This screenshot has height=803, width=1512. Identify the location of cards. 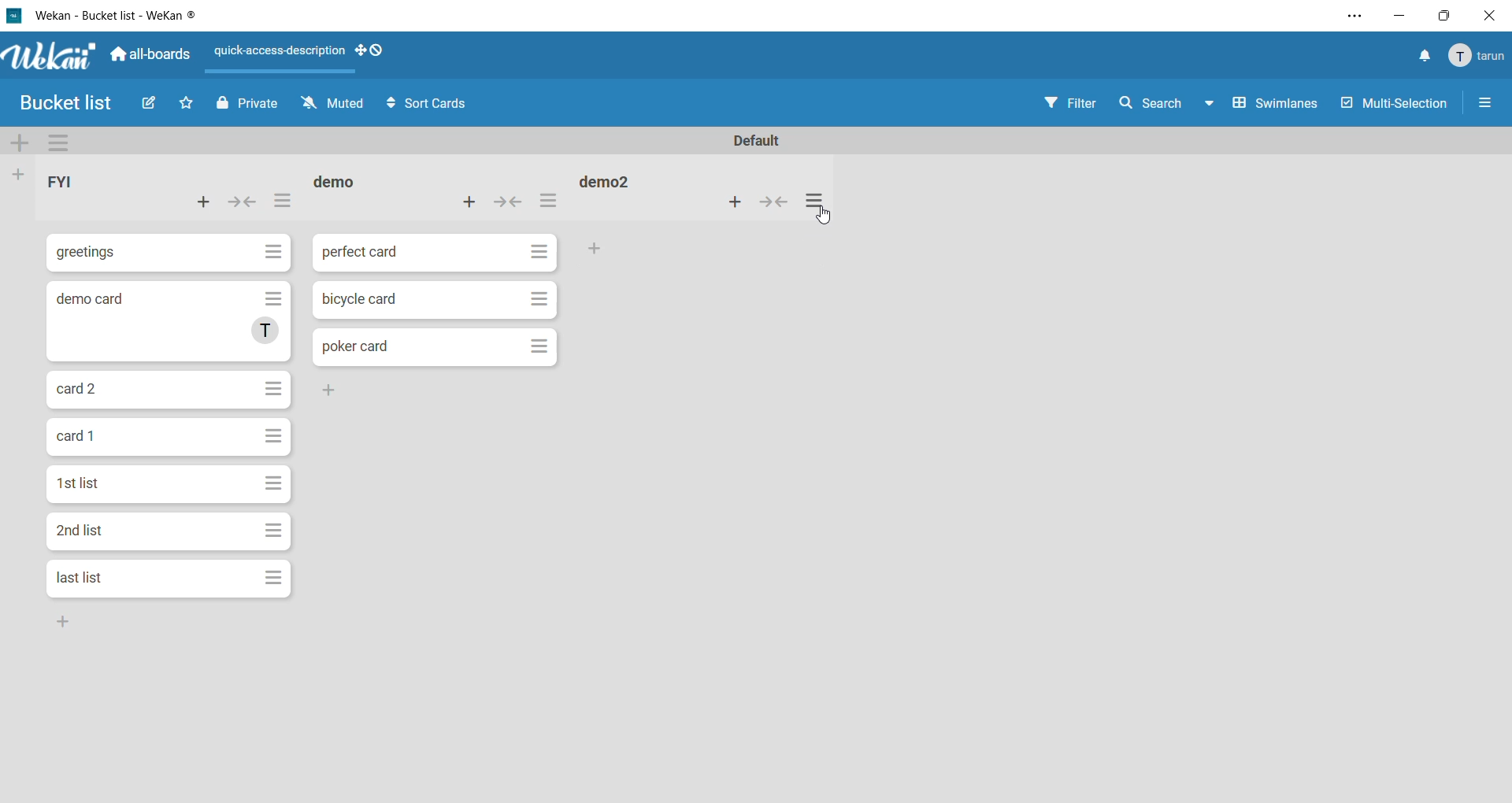
(168, 438).